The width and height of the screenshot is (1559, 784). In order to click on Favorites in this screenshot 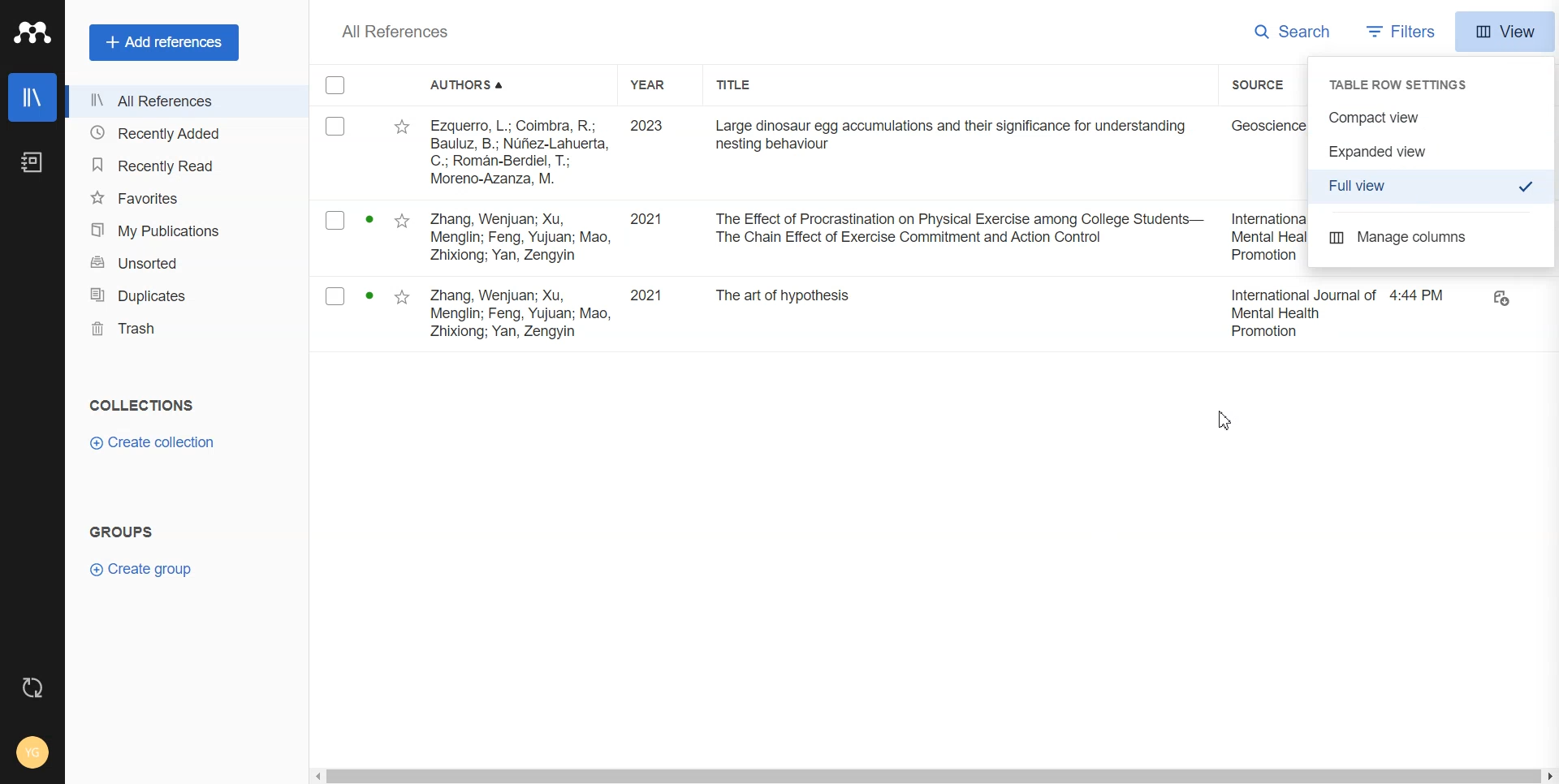, I will do `click(171, 198)`.